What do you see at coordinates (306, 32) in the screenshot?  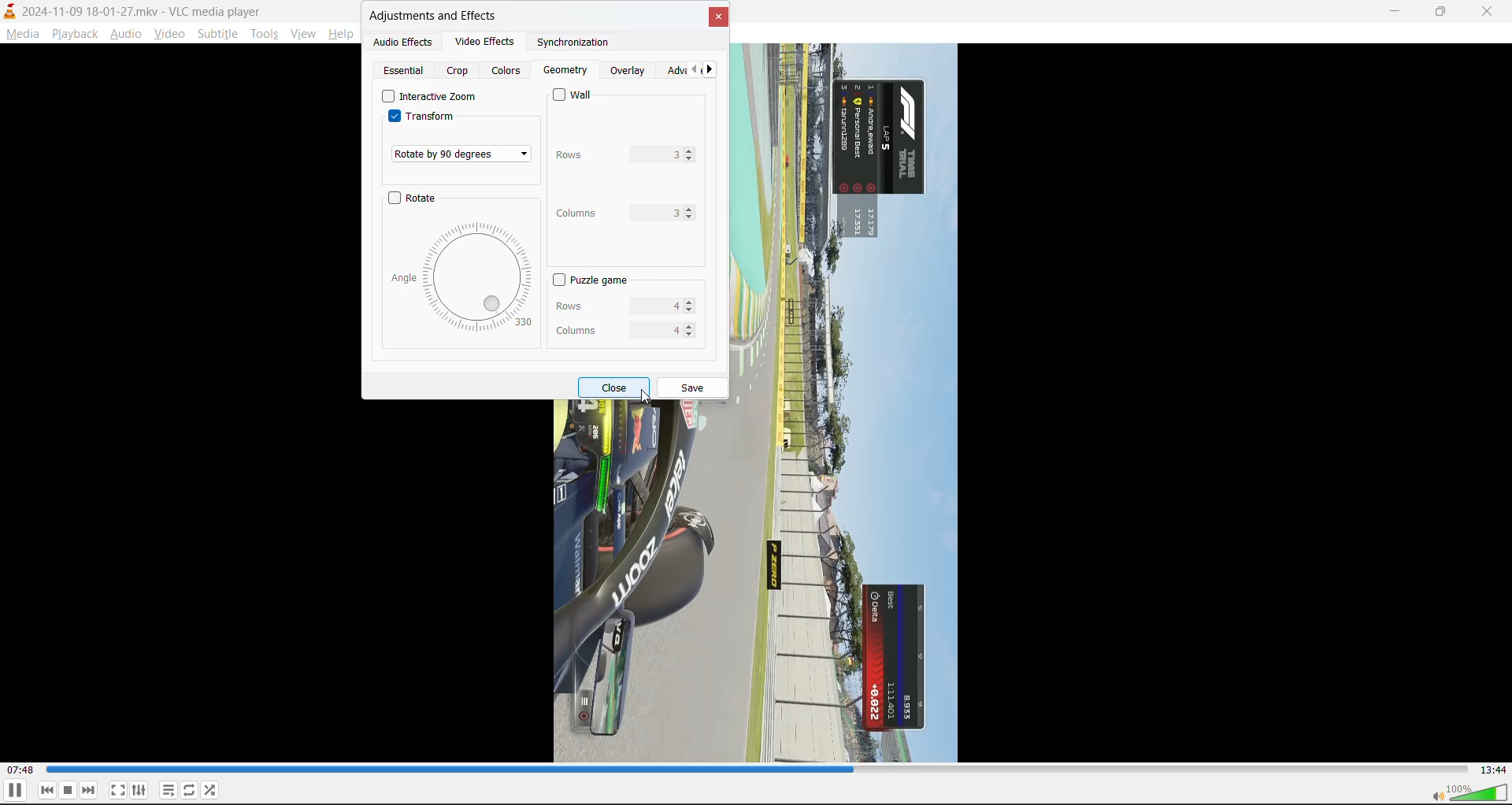 I see `view` at bounding box center [306, 32].